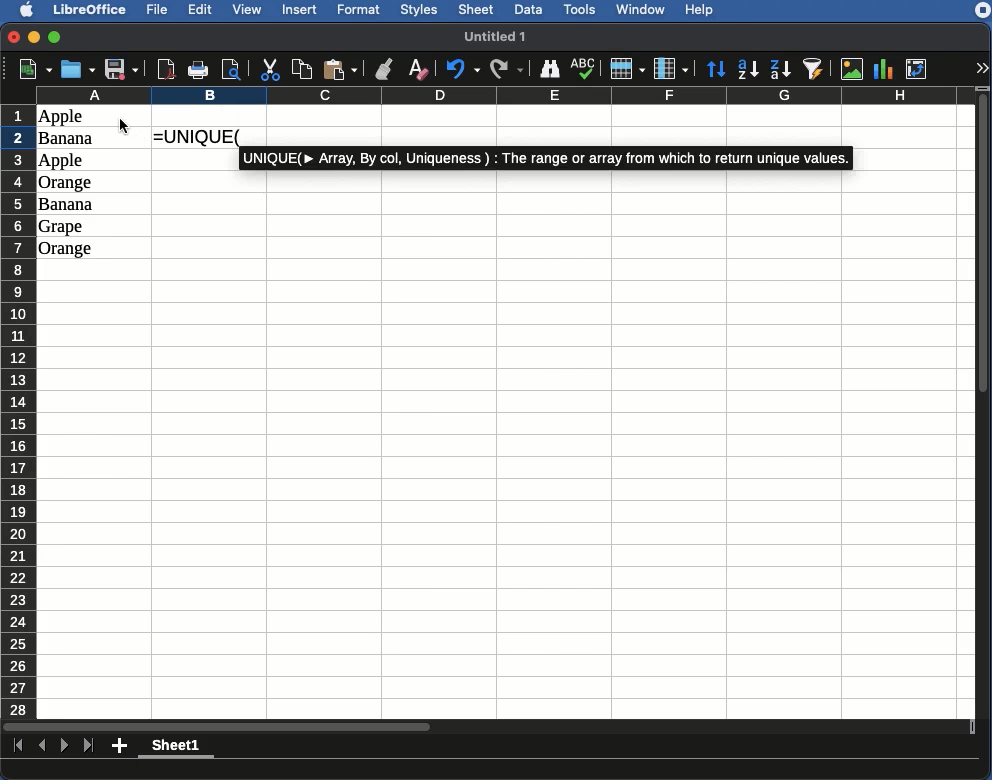 This screenshot has width=992, height=780. Describe the element at coordinates (671, 68) in the screenshot. I see `Column` at that location.